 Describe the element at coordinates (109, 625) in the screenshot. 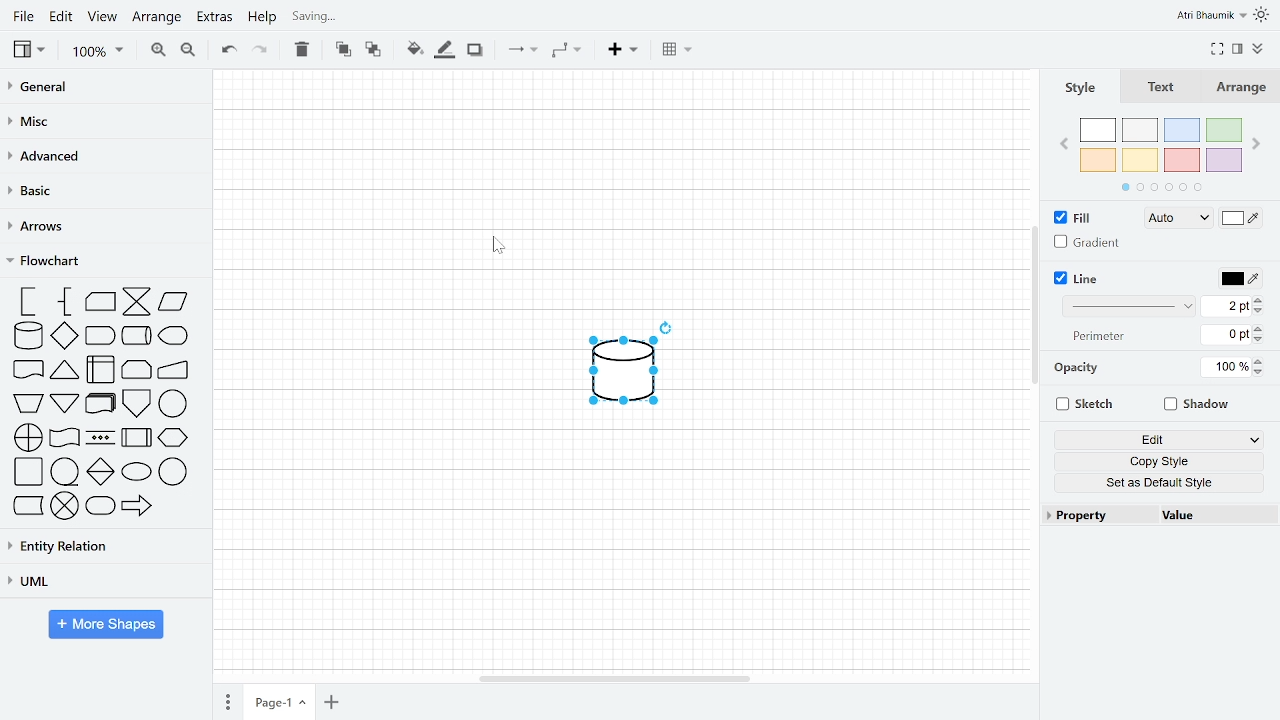

I see `More shapes` at that location.